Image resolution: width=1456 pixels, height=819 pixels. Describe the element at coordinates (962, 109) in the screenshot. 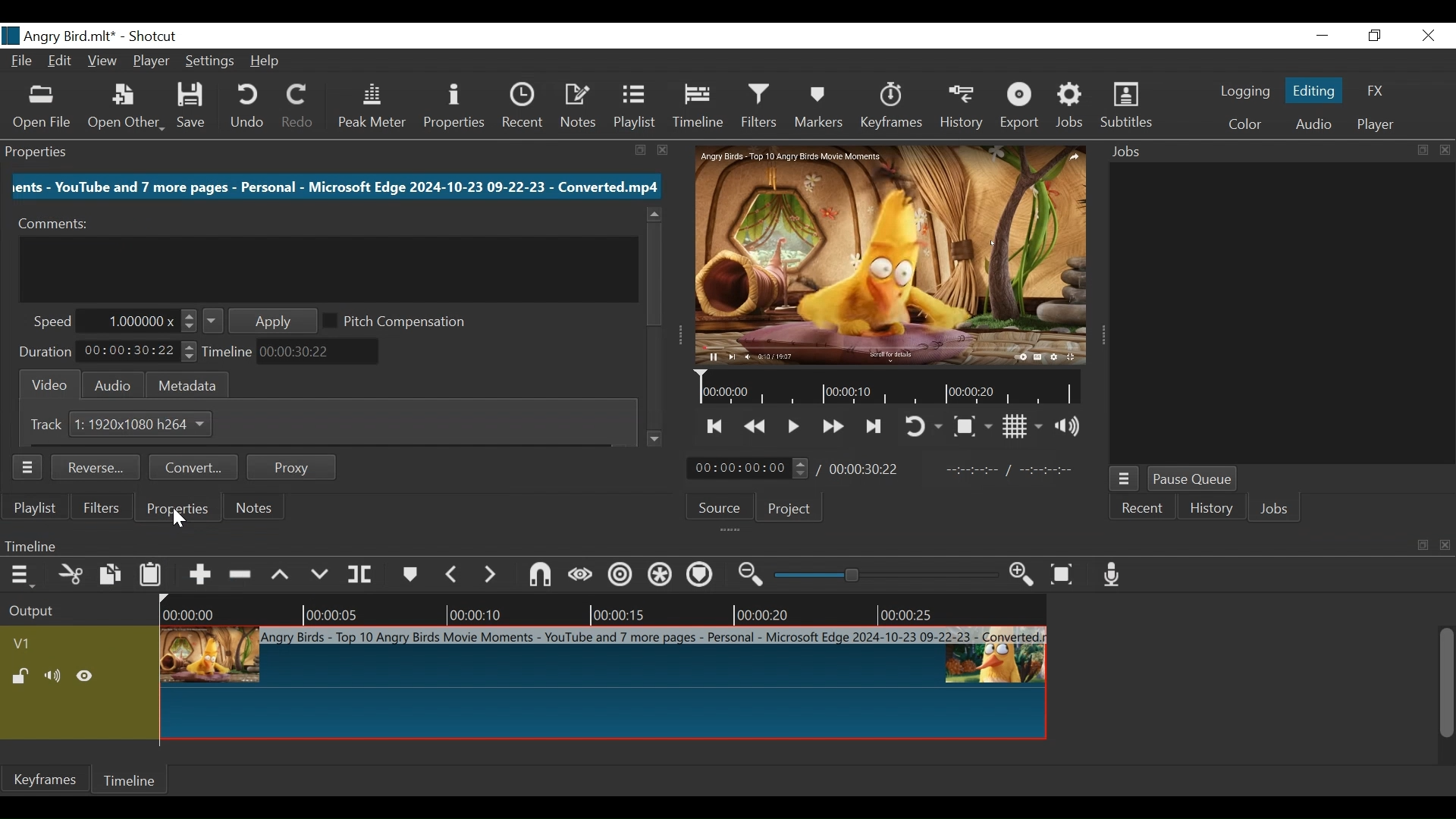

I see `History` at that location.